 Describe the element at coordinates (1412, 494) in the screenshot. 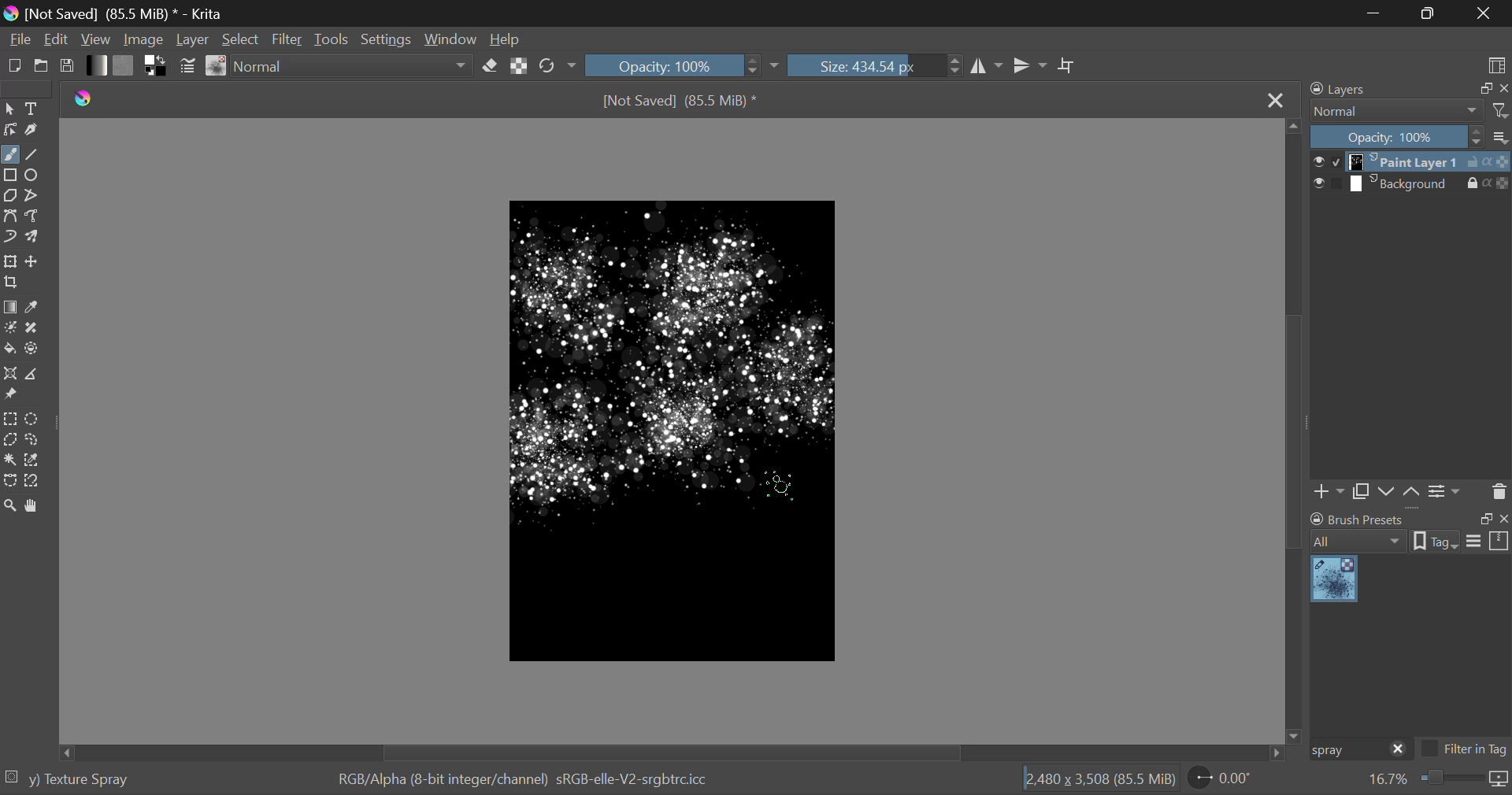

I see `Layer Movement up` at that location.